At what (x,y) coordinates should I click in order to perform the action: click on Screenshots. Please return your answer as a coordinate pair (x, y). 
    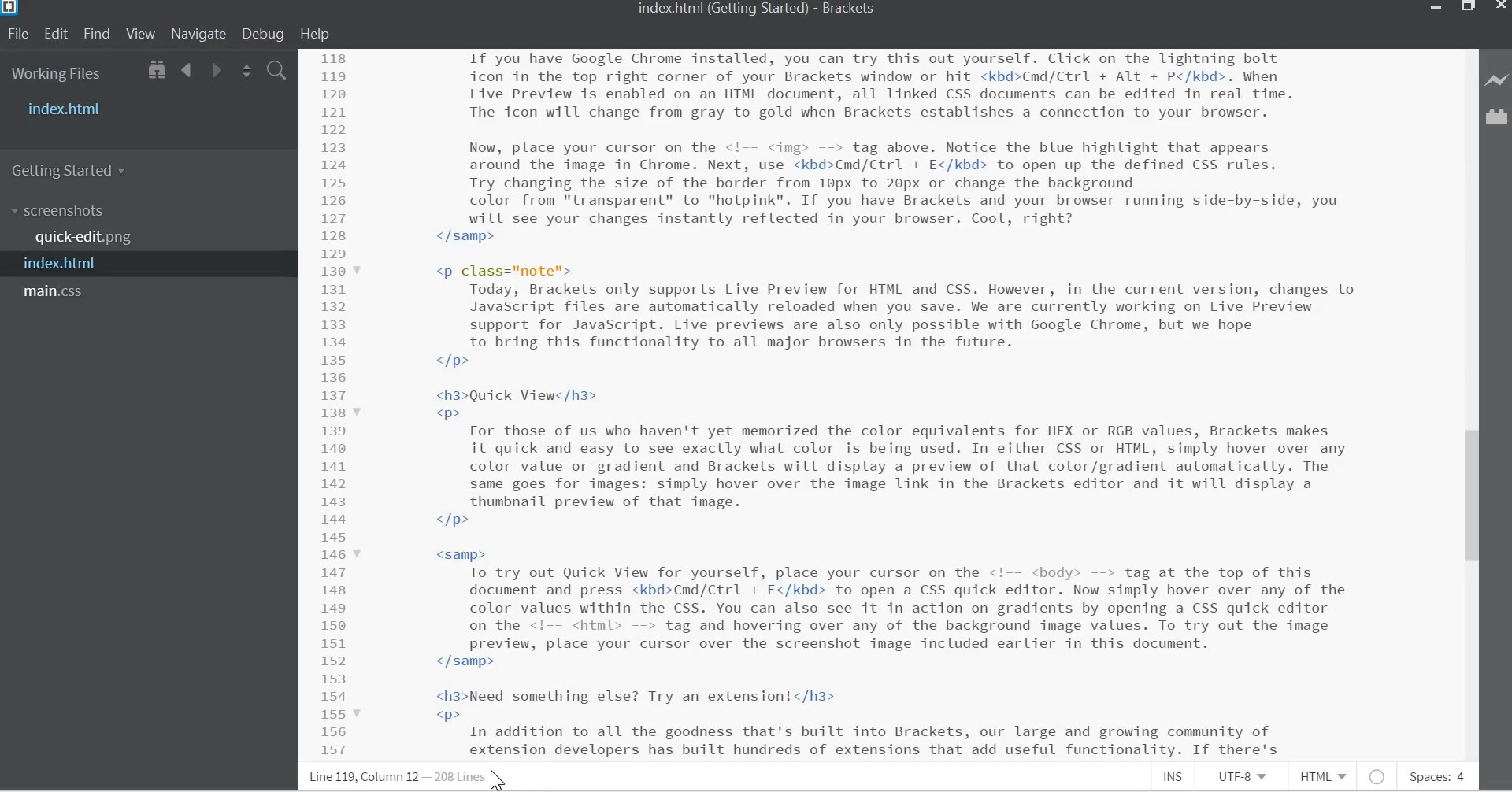
    Looking at the image, I should click on (60, 212).